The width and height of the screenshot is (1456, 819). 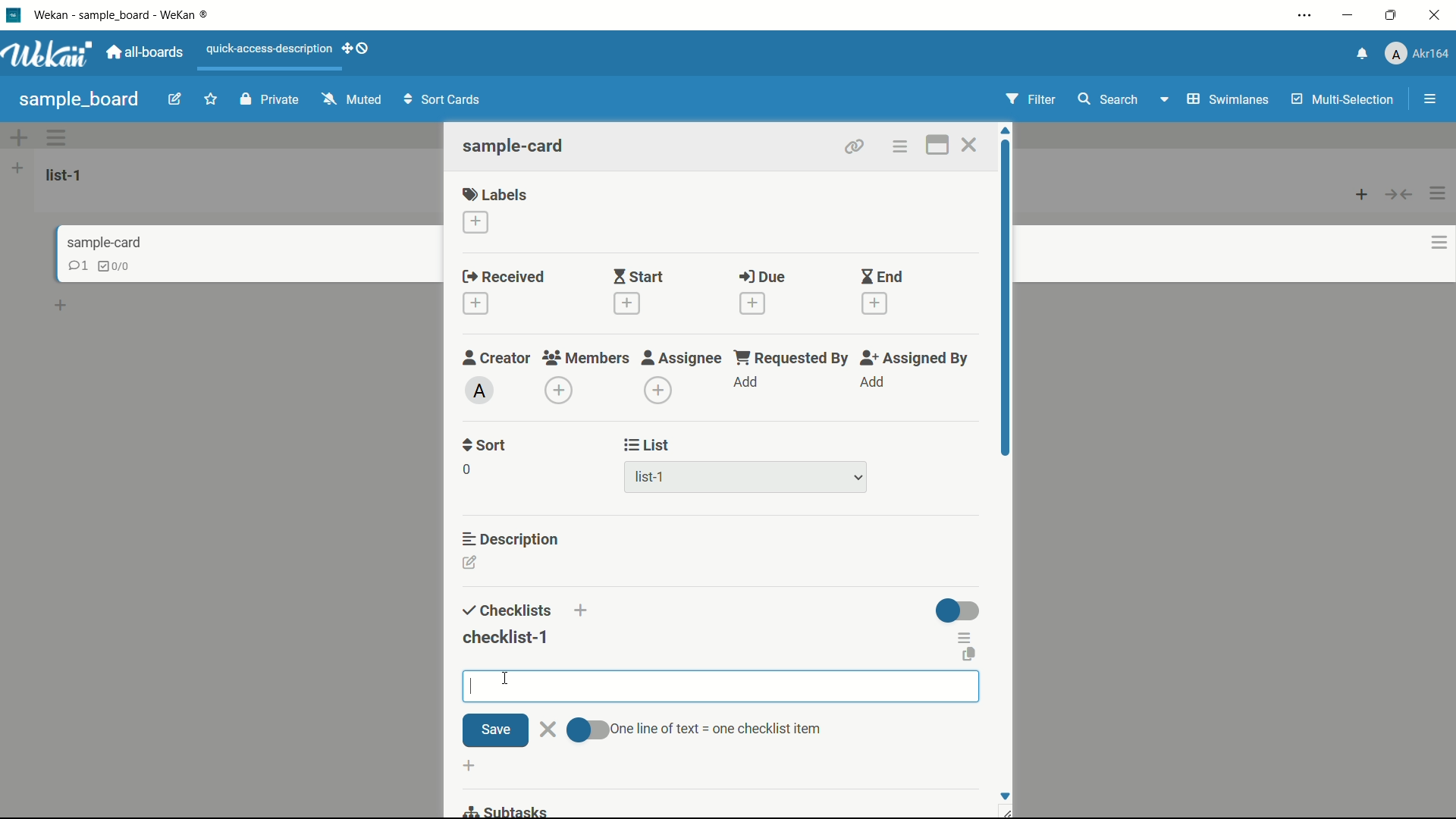 I want to click on checklist-1, so click(x=513, y=641).